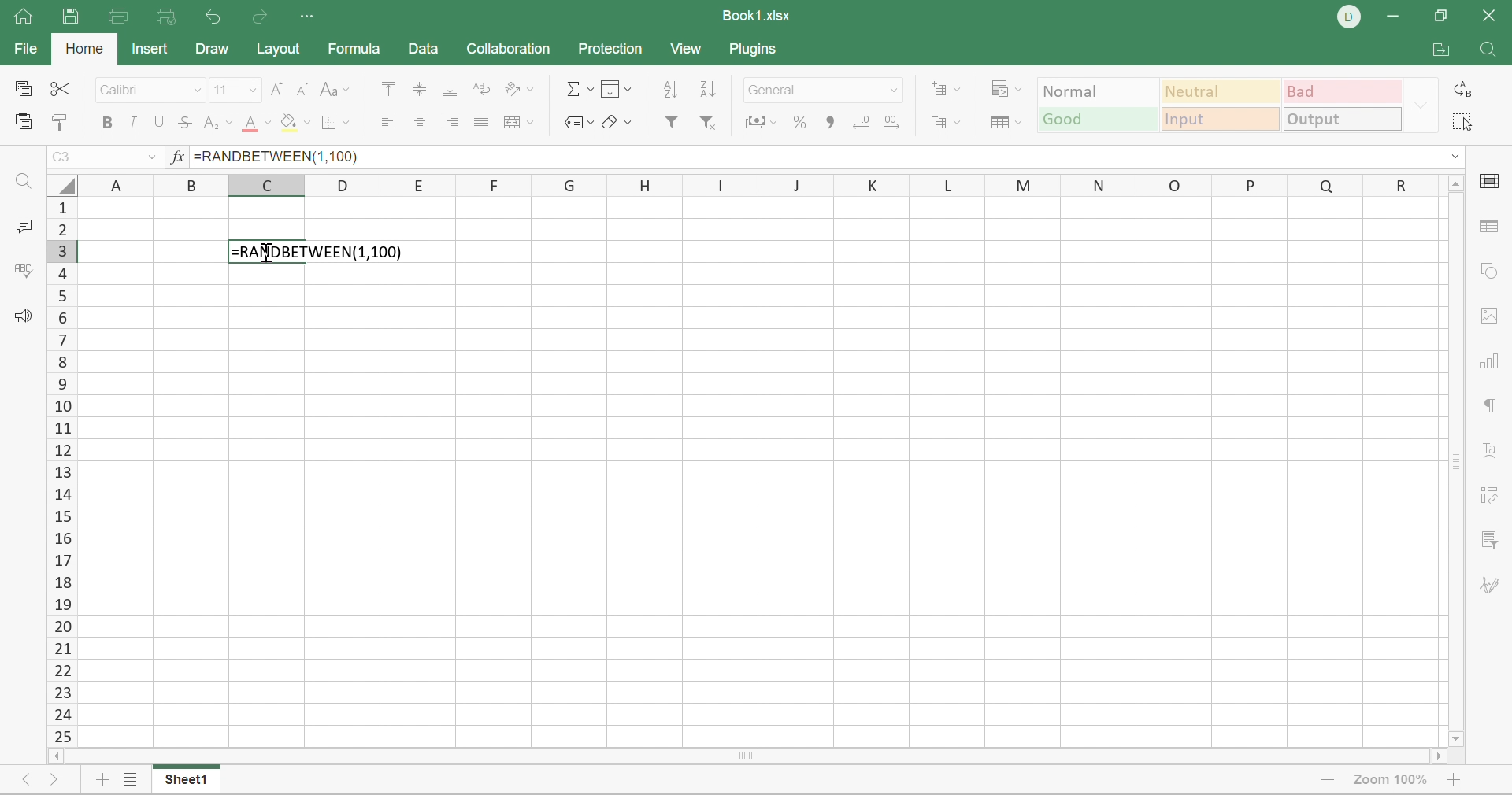 The width and height of the screenshot is (1512, 795). What do you see at coordinates (894, 120) in the screenshot?
I see `Increase decimal` at bounding box center [894, 120].